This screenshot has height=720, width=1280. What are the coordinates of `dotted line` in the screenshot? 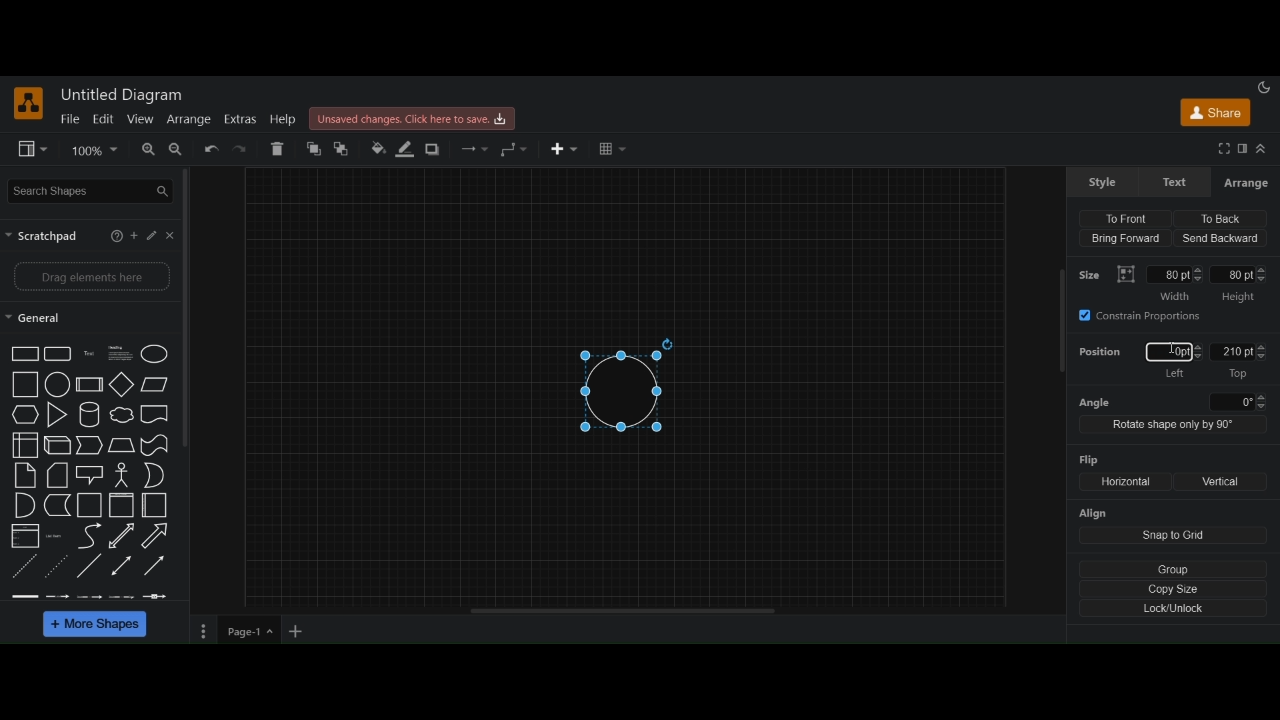 It's located at (25, 568).